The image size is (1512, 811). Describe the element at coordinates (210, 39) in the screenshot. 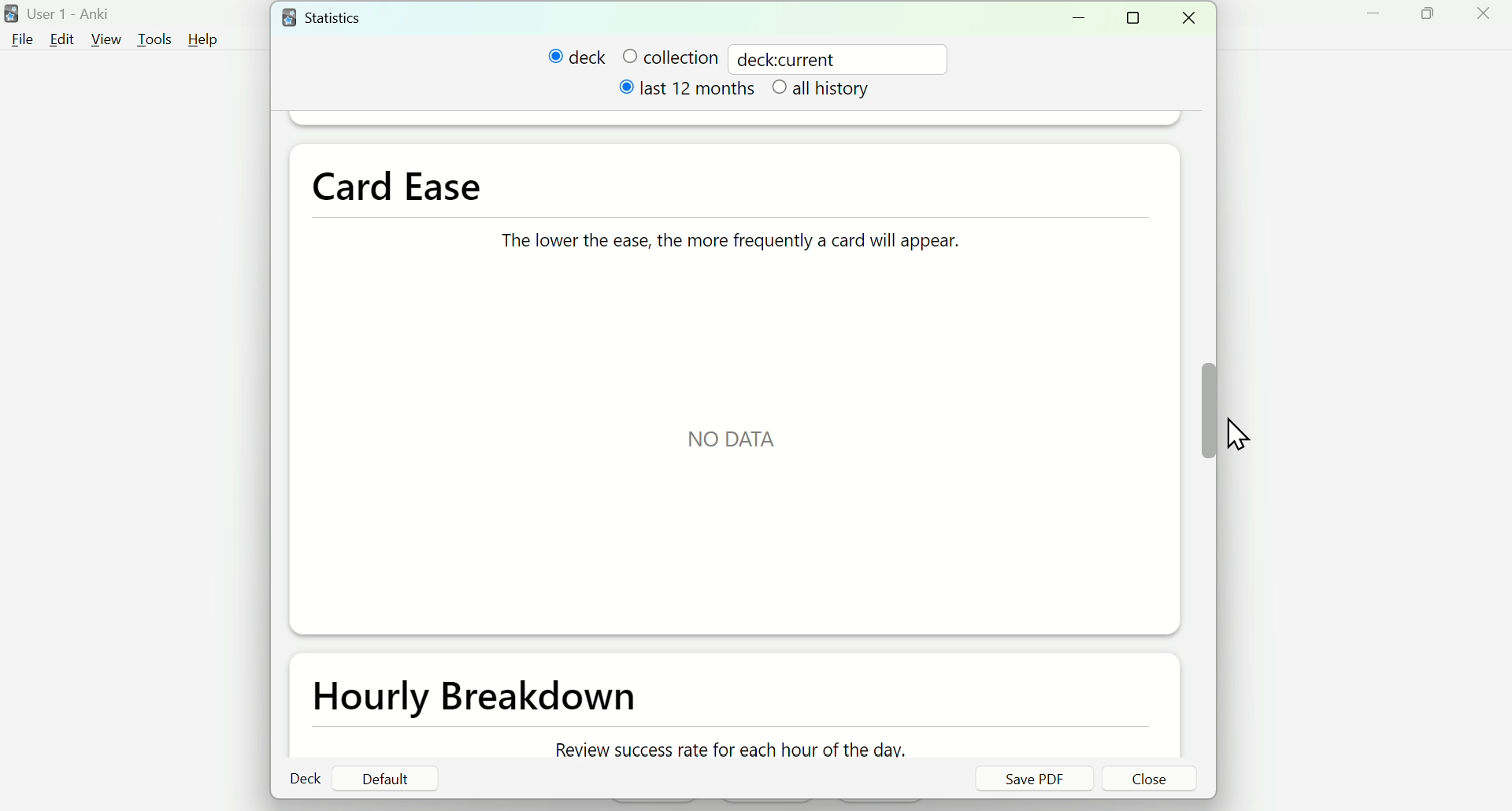

I see `Help` at that location.